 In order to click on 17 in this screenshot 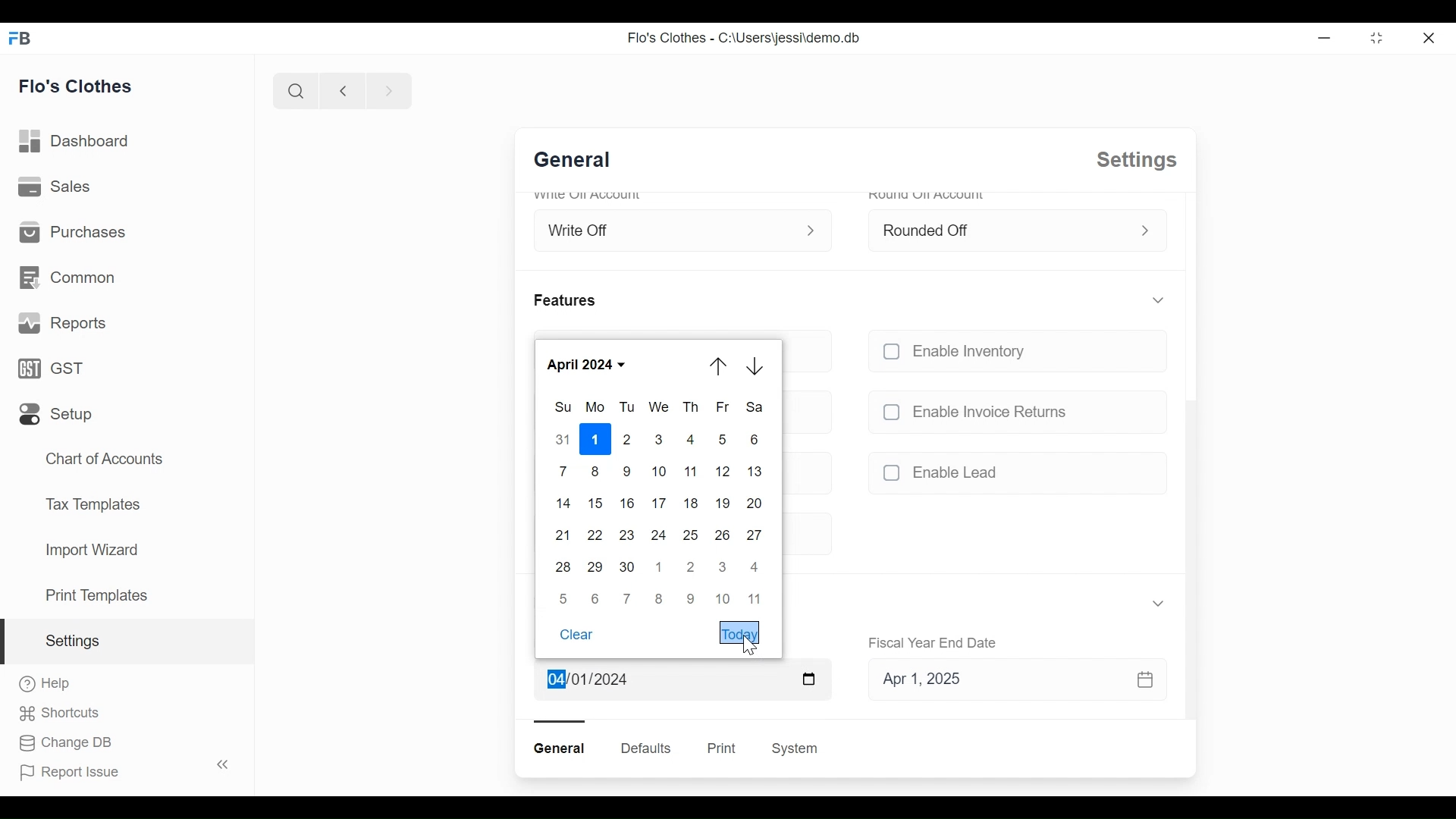, I will do `click(661, 502)`.